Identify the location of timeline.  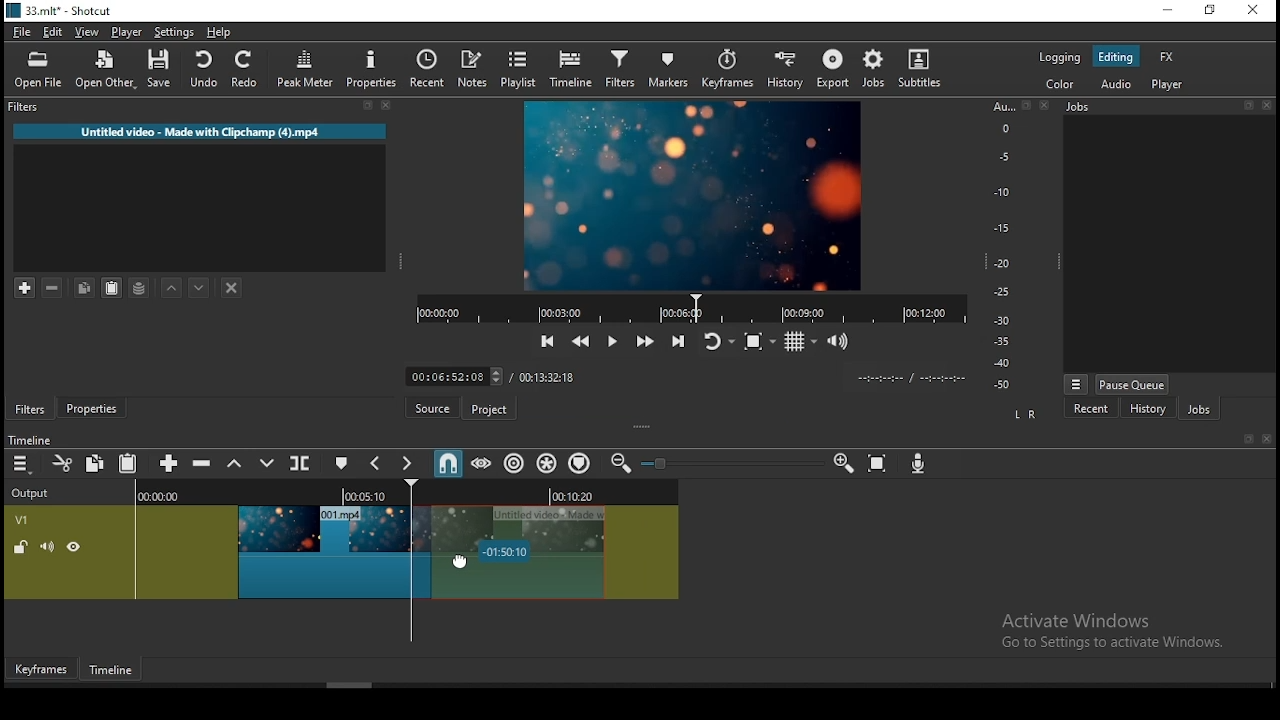
(34, 437).